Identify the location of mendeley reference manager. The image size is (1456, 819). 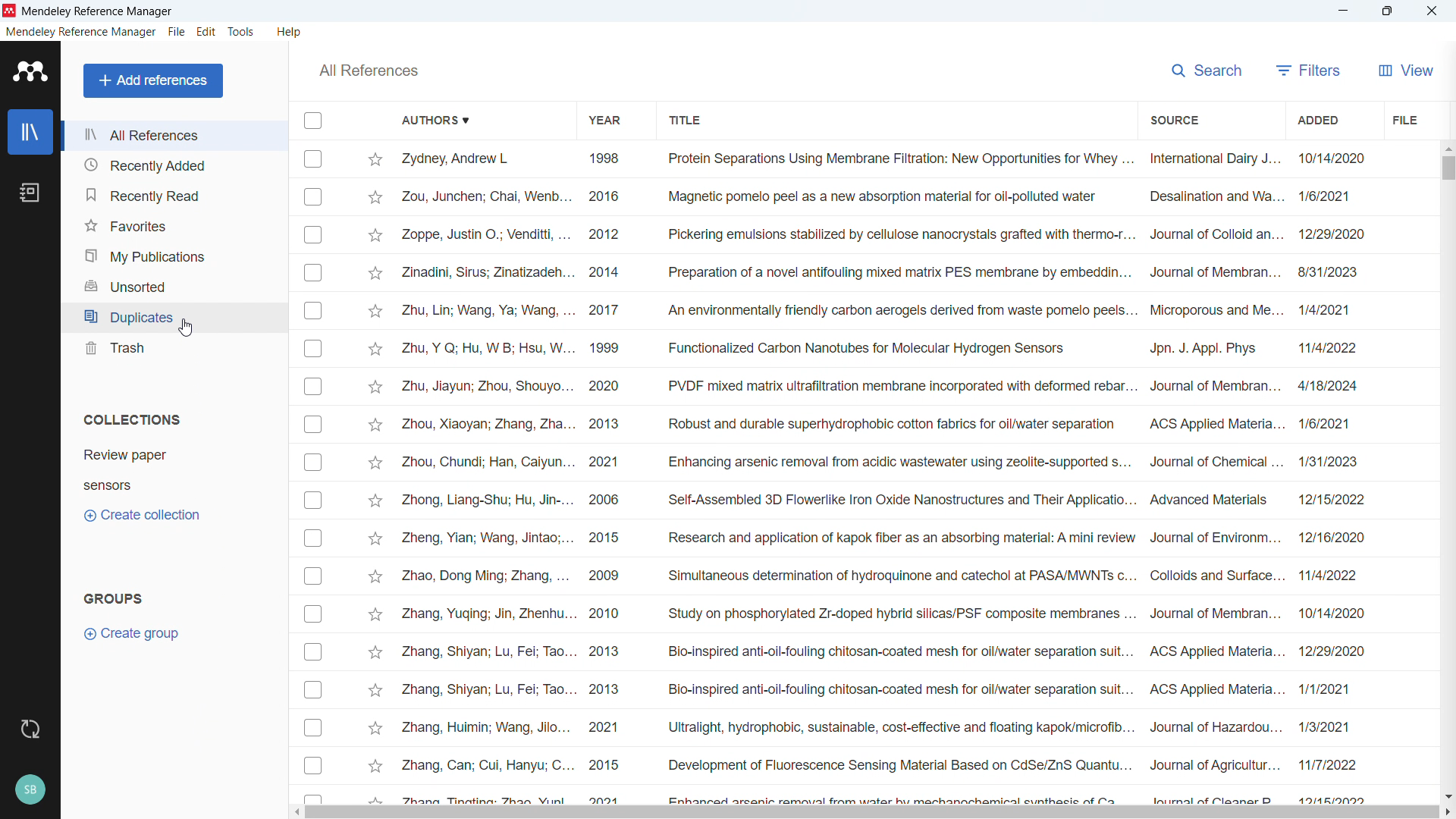
(80, 32).